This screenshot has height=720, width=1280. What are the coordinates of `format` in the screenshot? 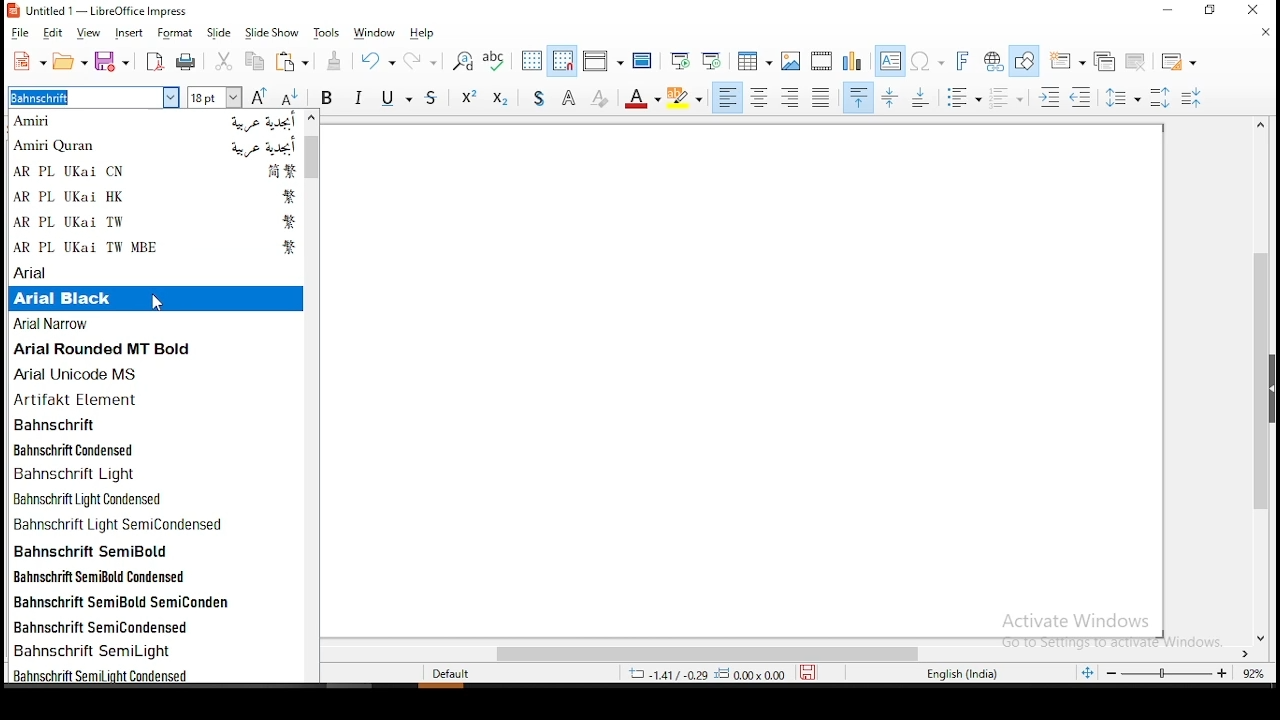 It's located at (177, 31).